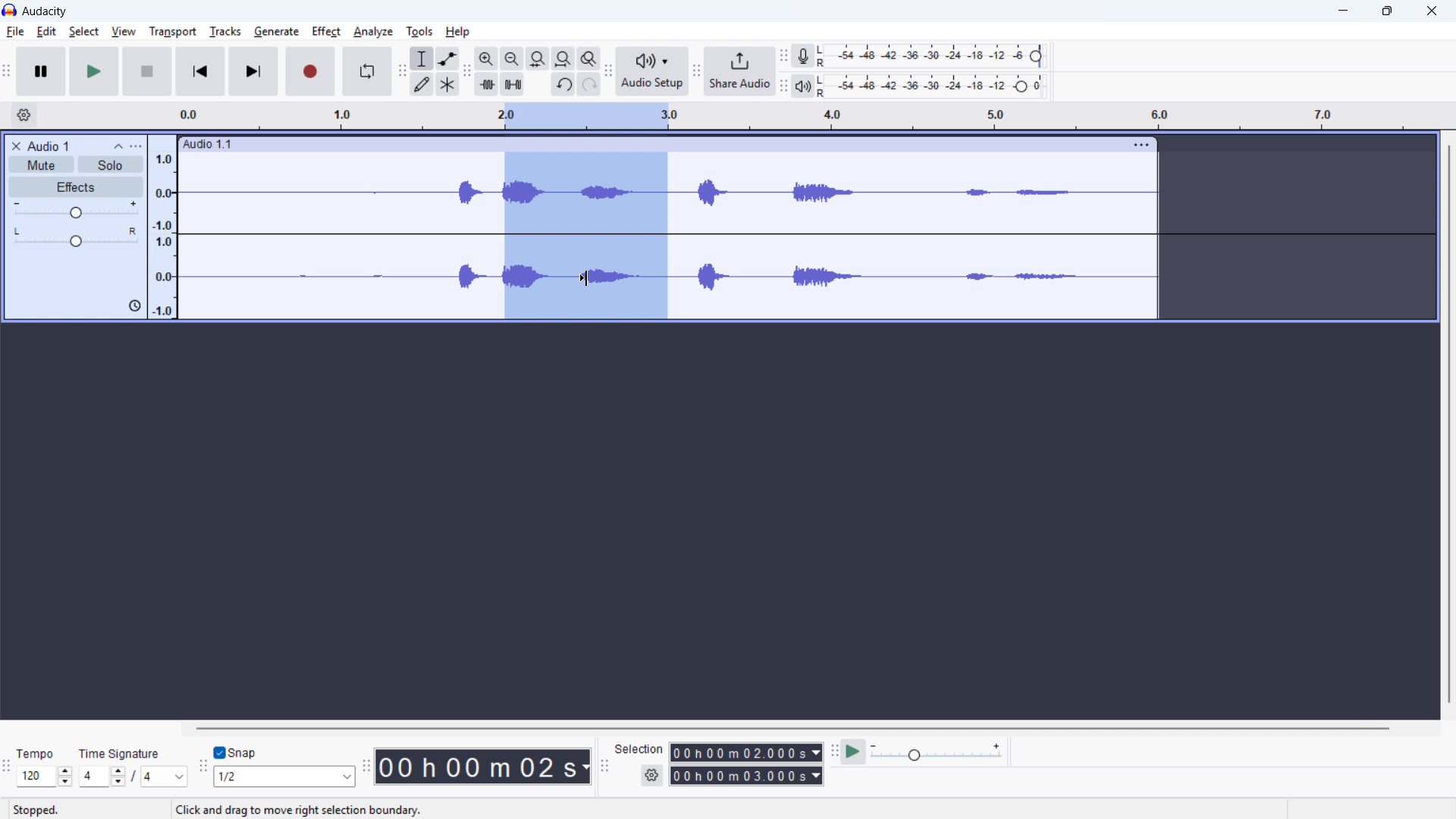 The height and width of the screenshot is (819, 1456). Describe the element at coordinates (485, 58) in the screenshot. I see `ZoZoom in` at that location.